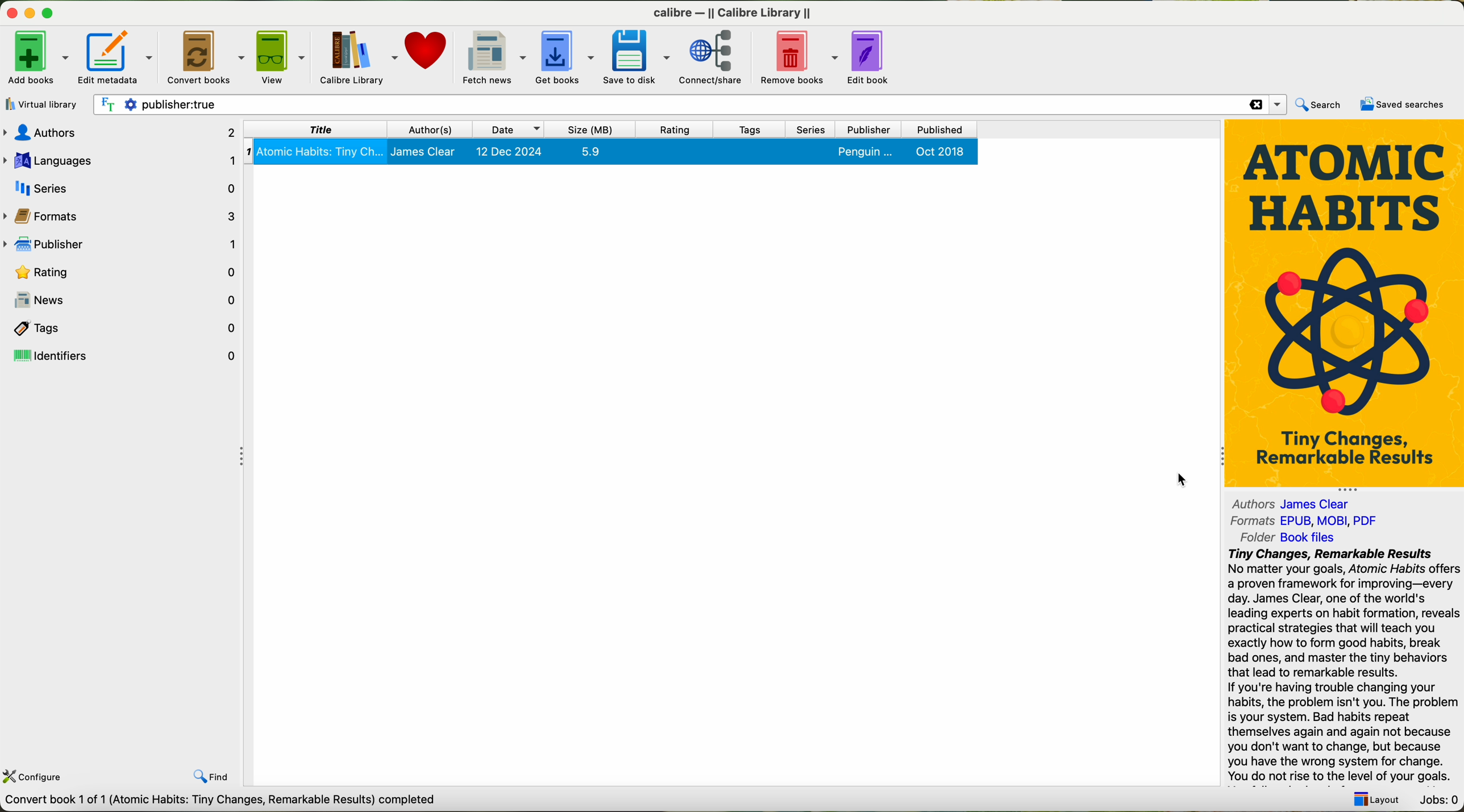 This screenshot has width=1464, height=812. I want to click on mouse, so click(1178, 481).